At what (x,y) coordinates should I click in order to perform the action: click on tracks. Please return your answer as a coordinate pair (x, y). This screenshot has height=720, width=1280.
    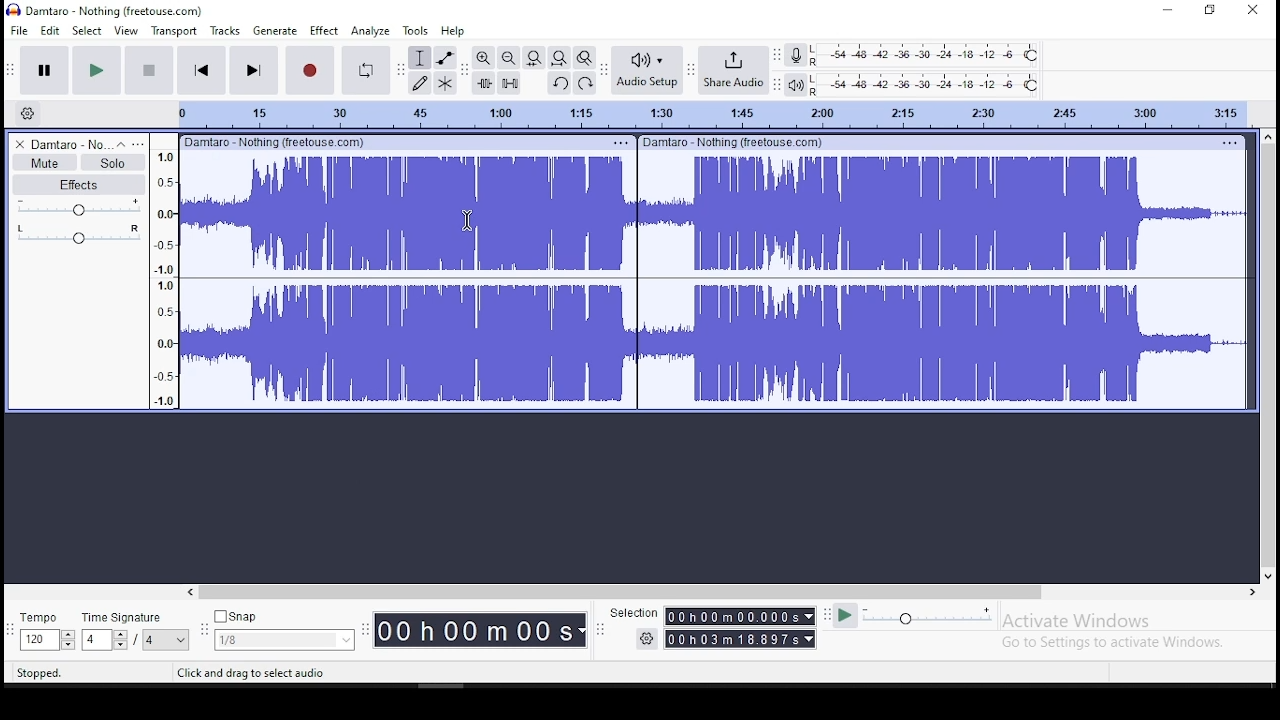
    Looking at the image, I should click on (225, 31).